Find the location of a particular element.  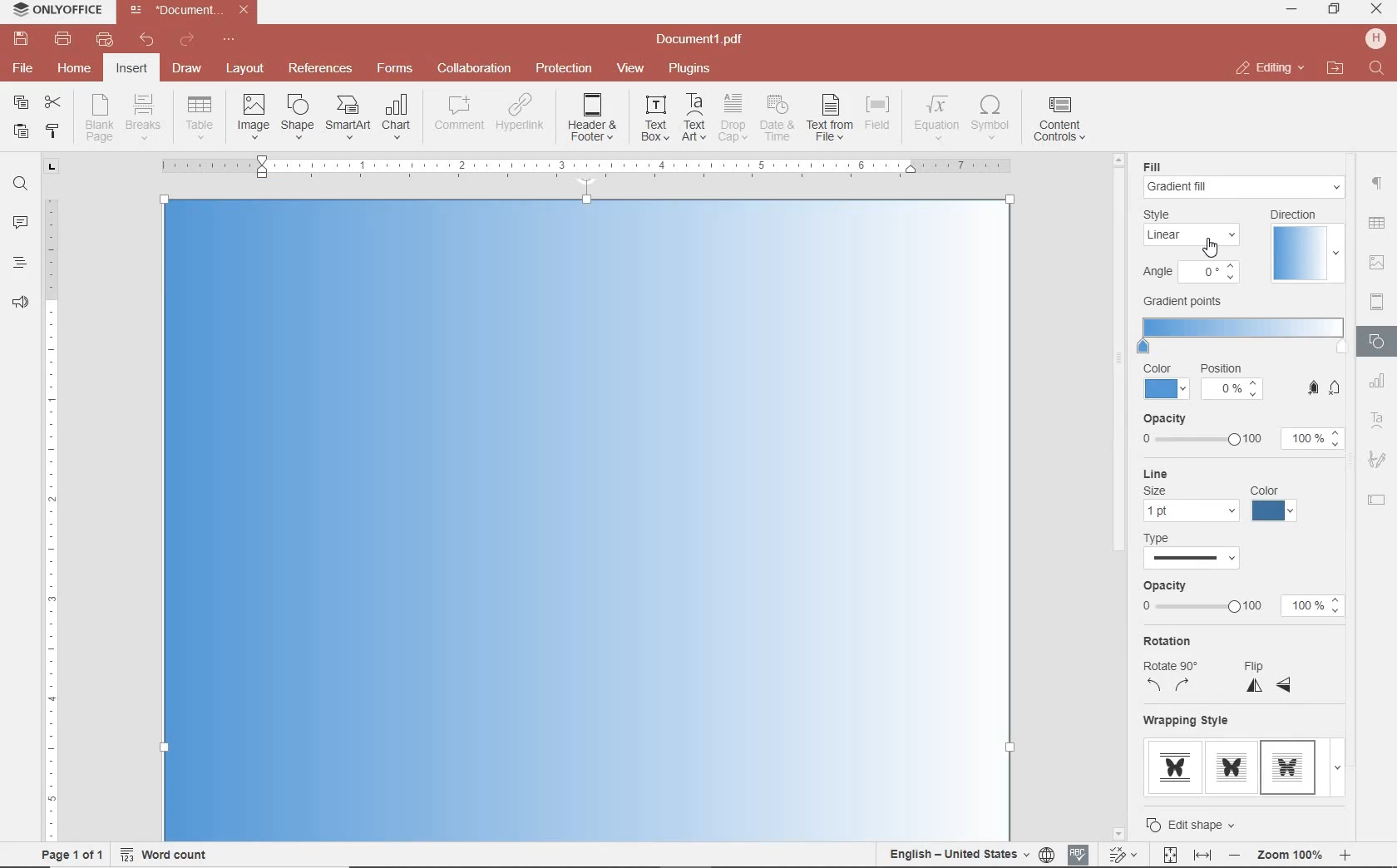

TEXT FROM  FILE is located at coordinates (830, 118).